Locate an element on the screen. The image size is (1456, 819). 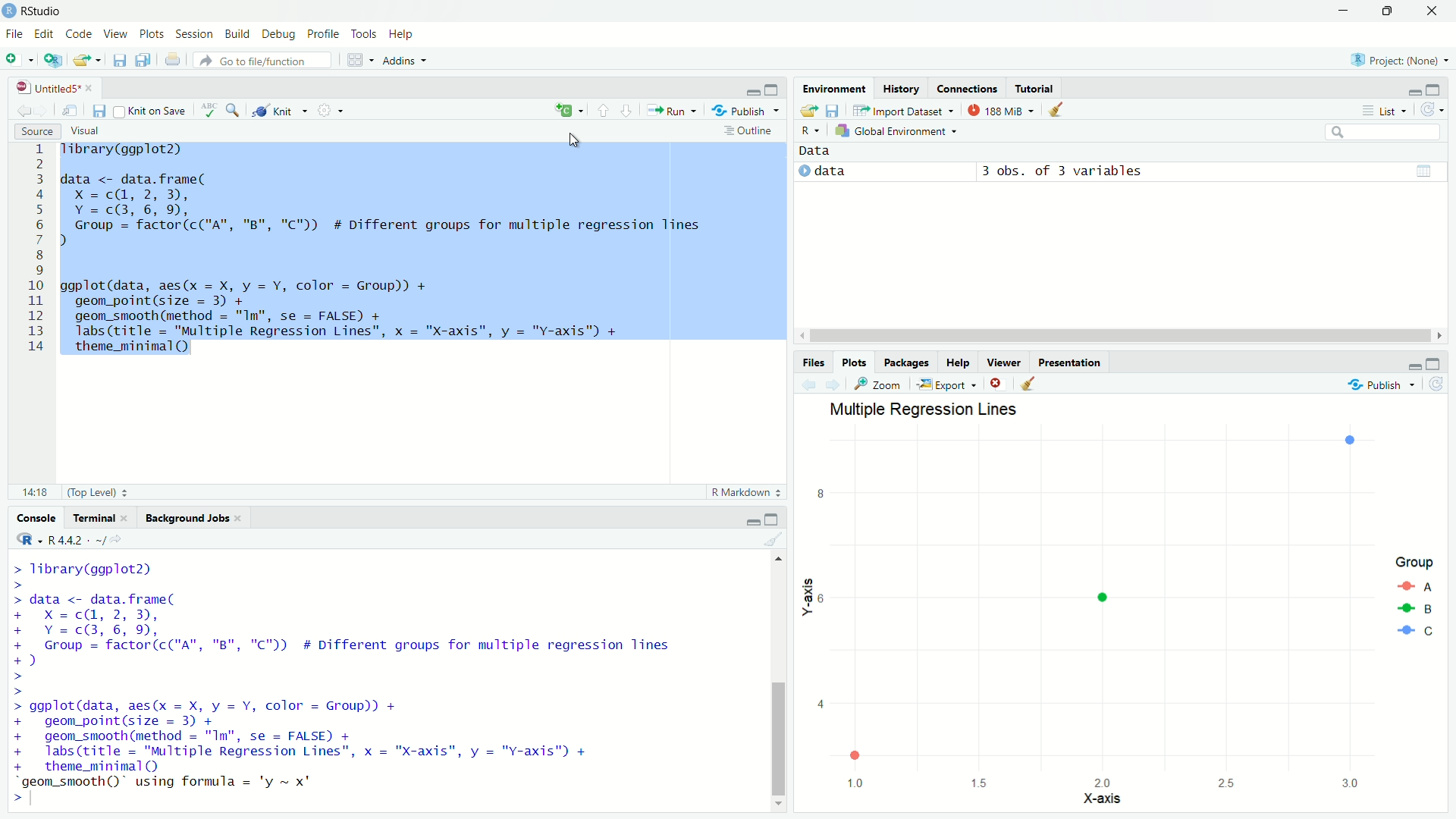
export is located at coordinates (85, 62).